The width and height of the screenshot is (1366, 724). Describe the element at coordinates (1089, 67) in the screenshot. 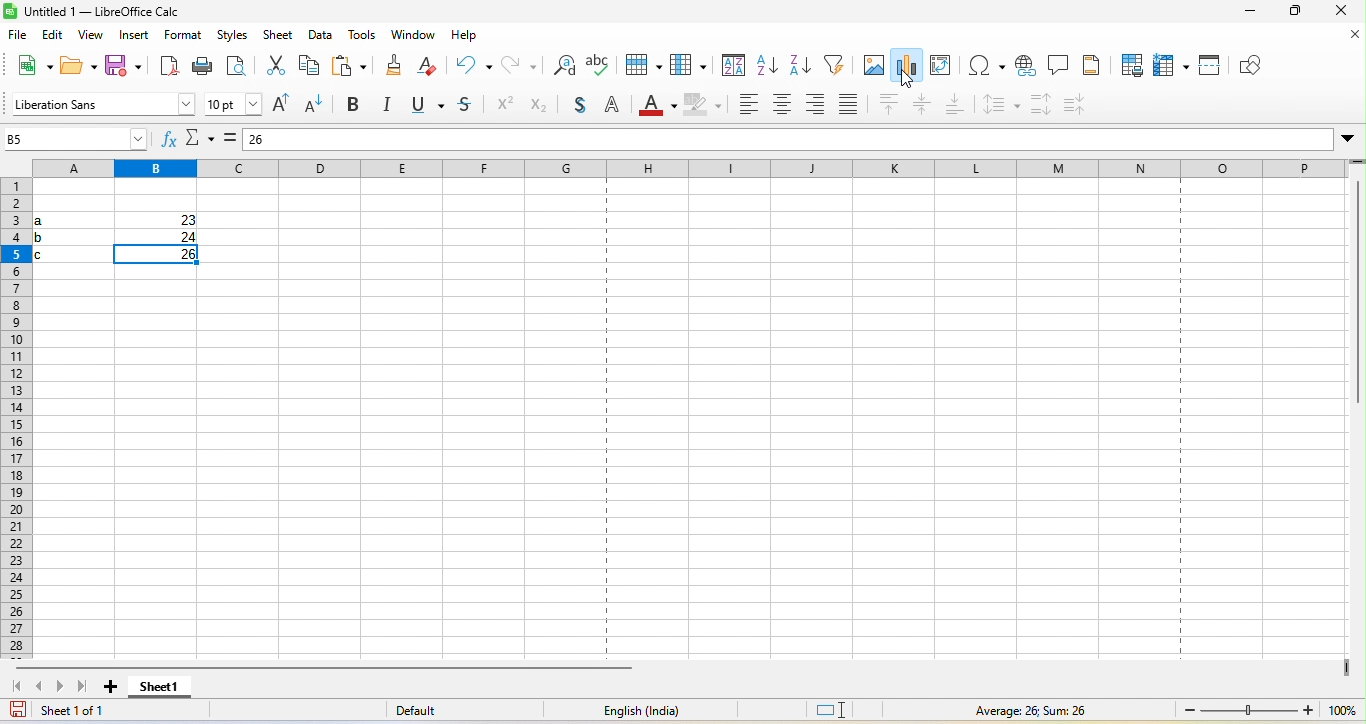

I see `header and footer` at that location.